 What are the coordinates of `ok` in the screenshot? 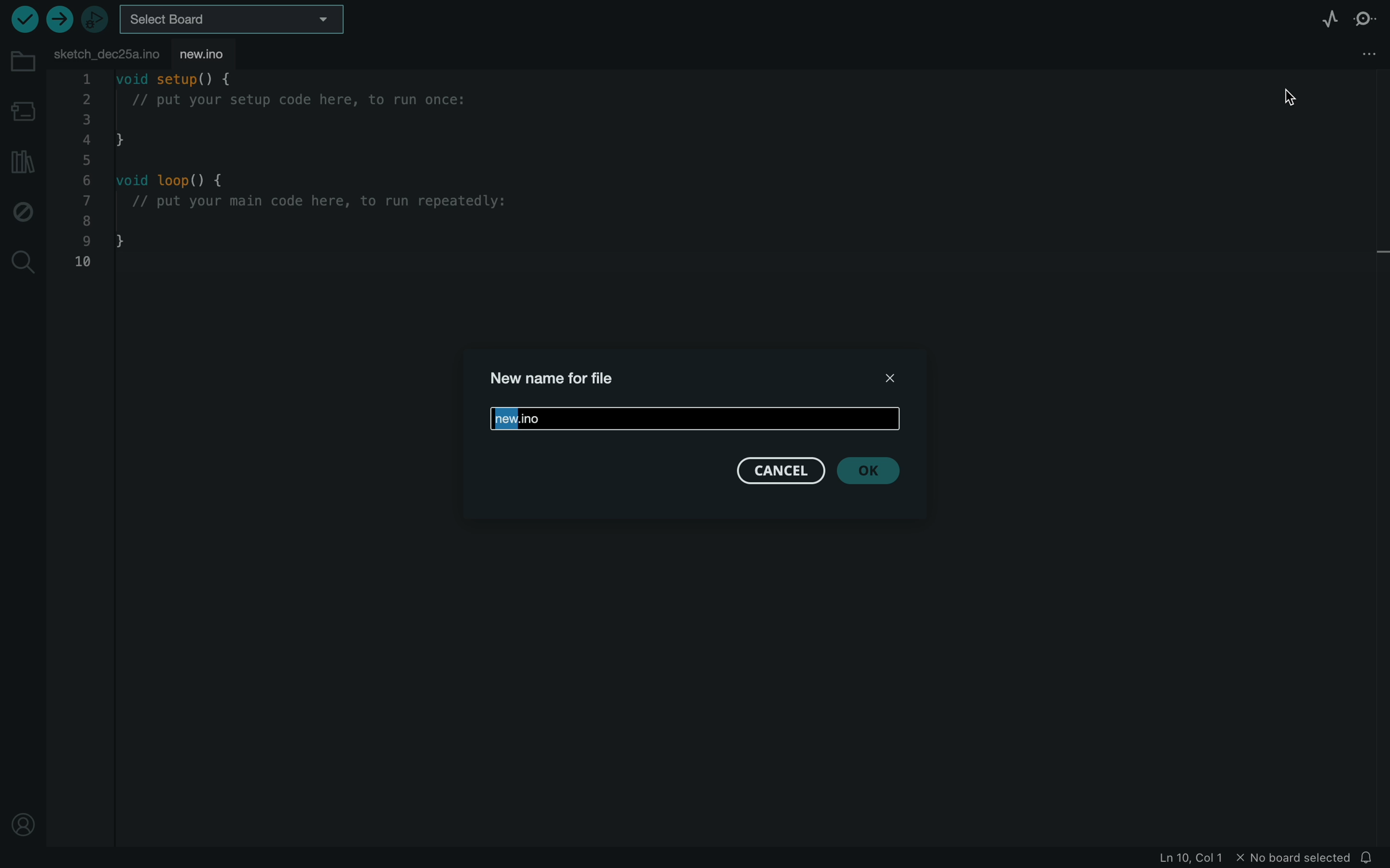 It's located at (874, 473).